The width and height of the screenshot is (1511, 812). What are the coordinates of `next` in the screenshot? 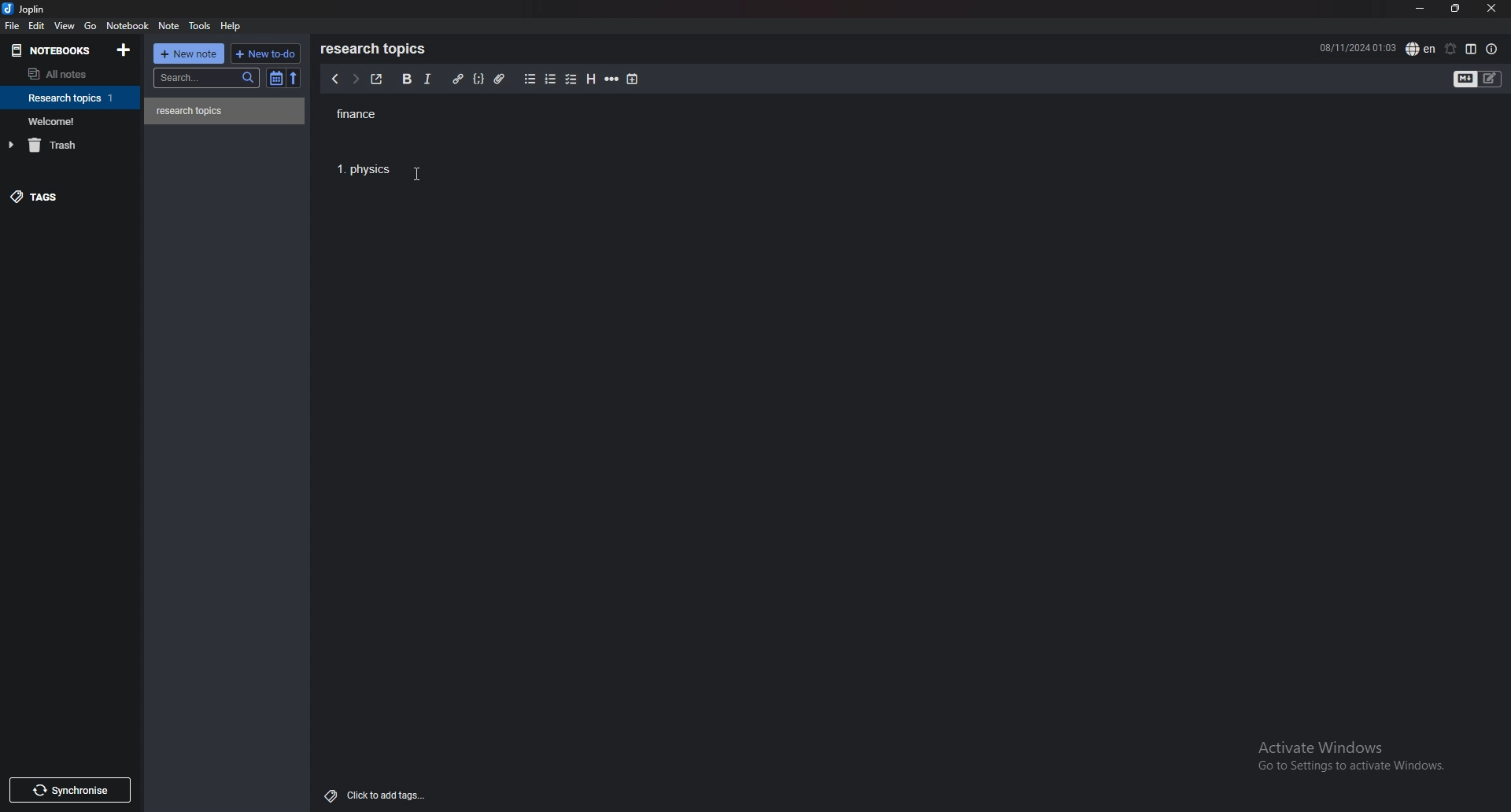 It's located at (353, 80).